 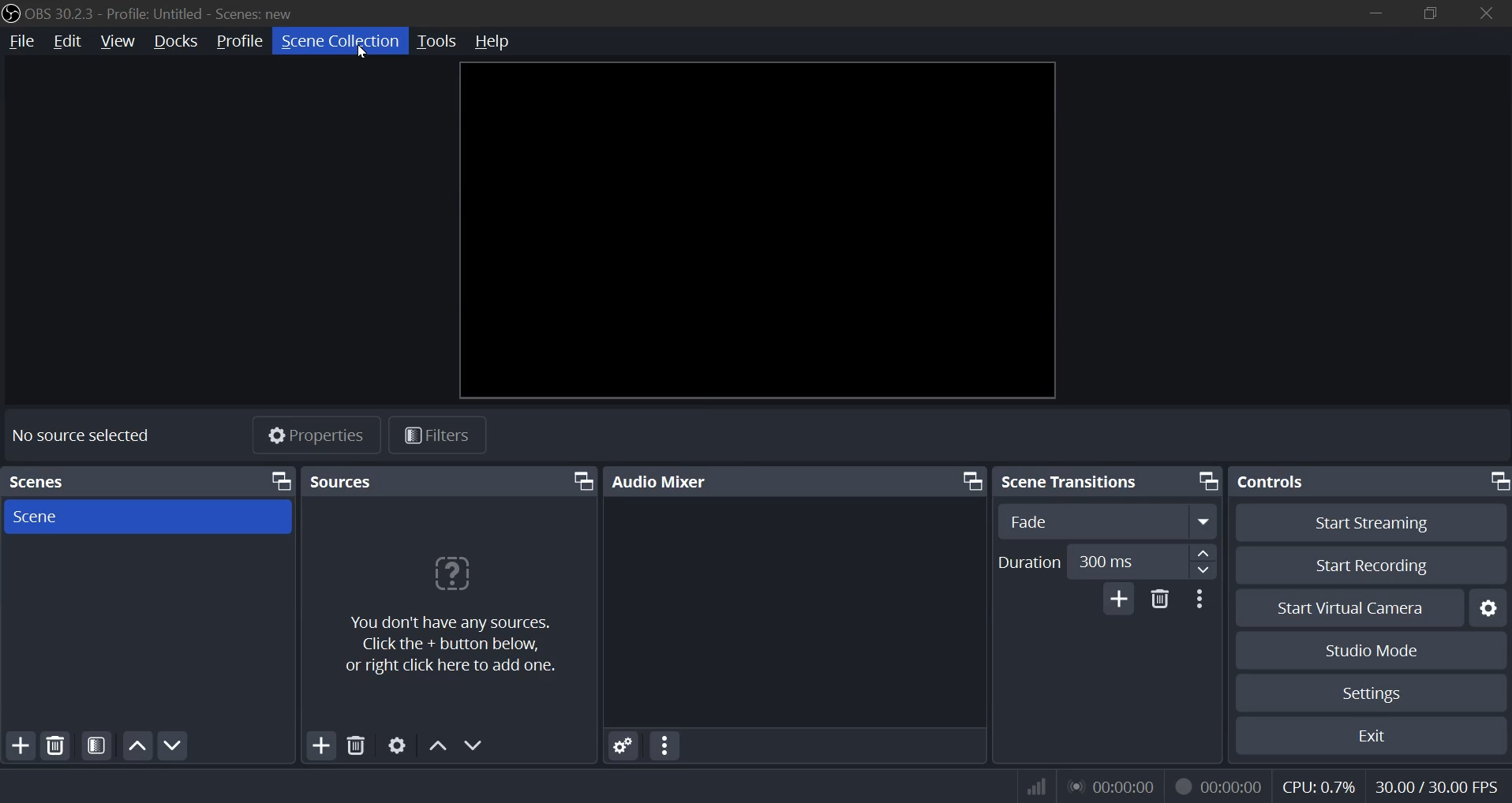 I want to click on help, so click(x=493, y=41).